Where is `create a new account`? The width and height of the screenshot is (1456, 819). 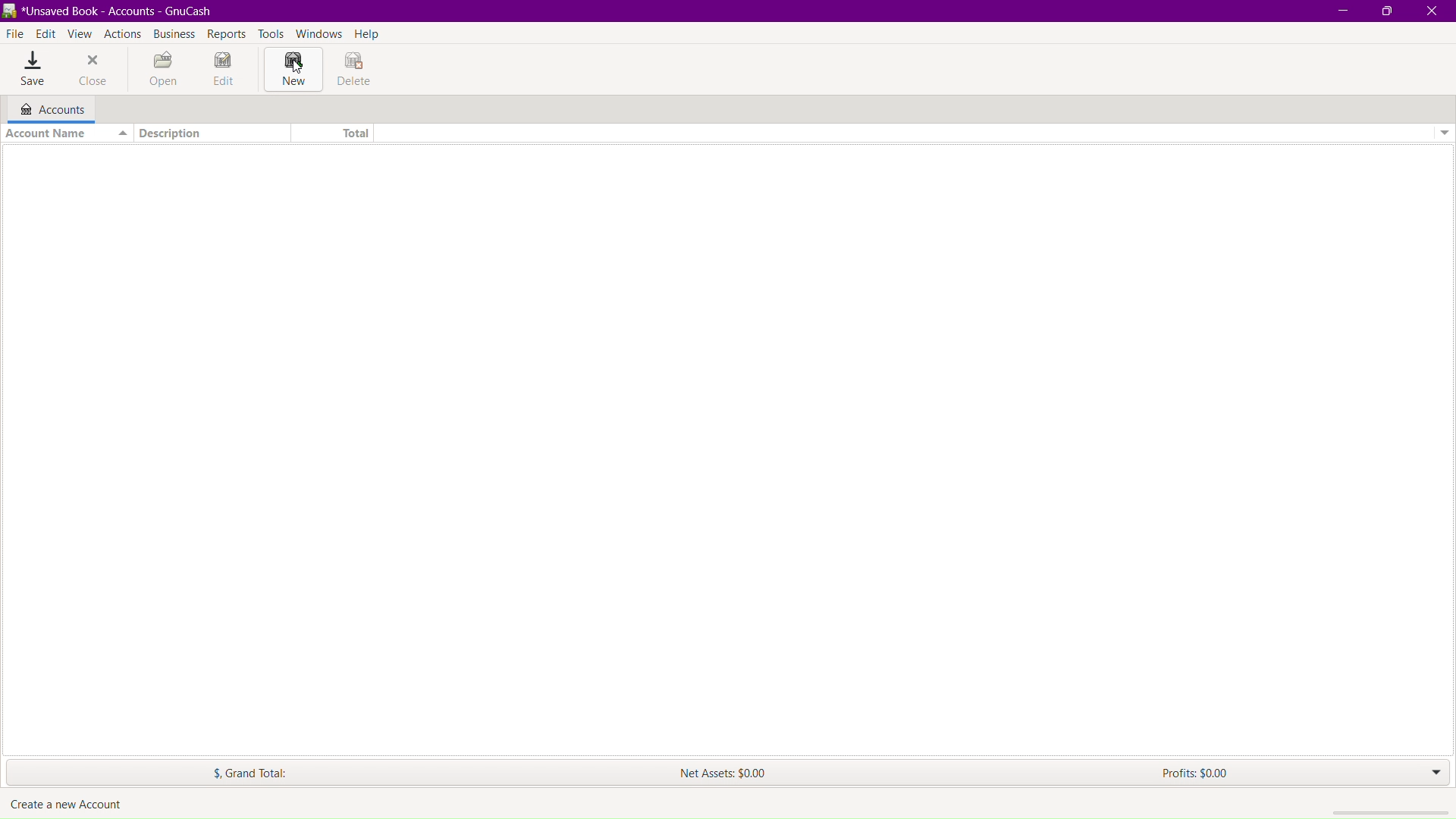
create a new account is located at coordinates (74, 805).